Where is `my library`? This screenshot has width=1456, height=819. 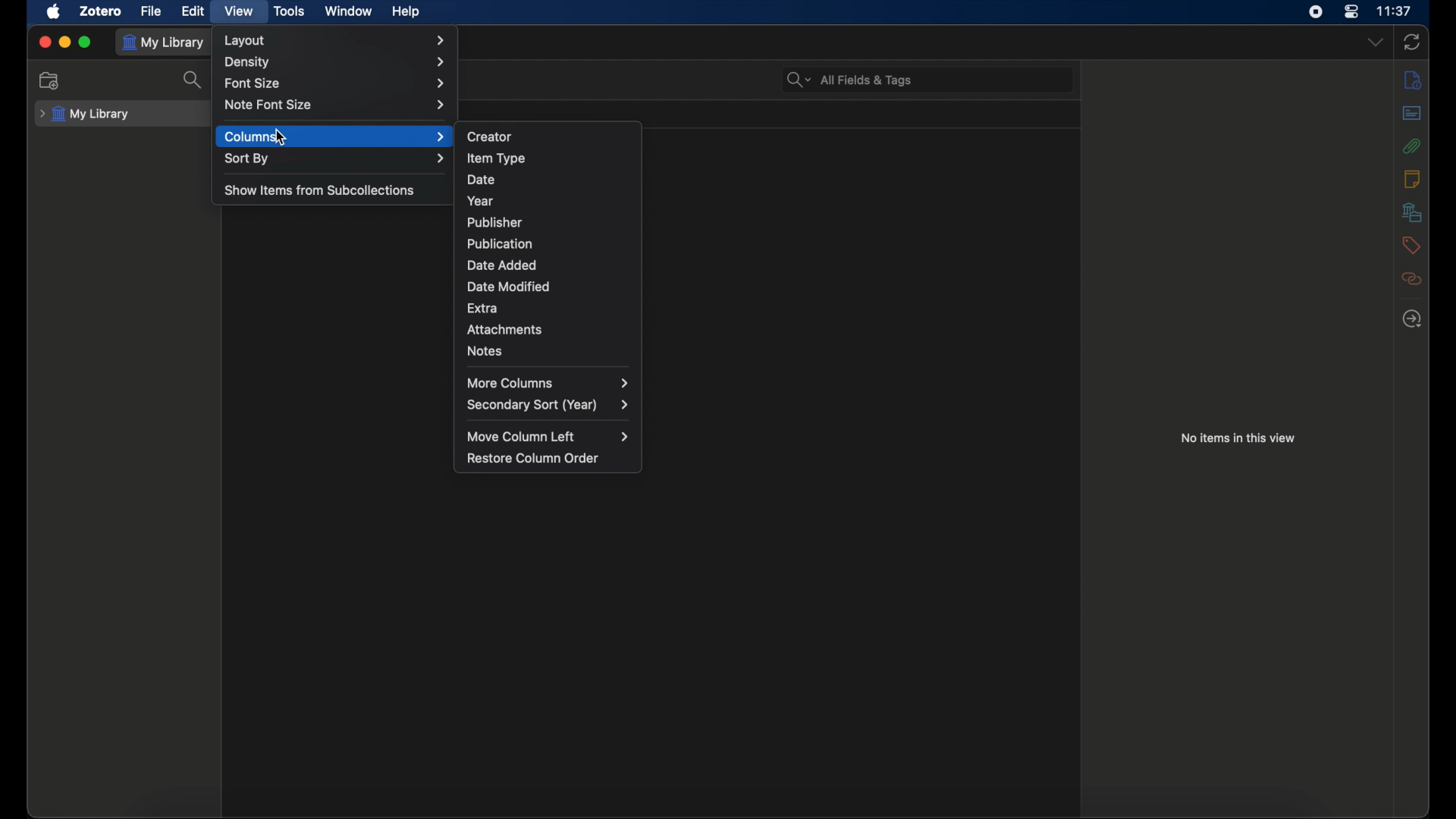
my library is located at coordinates (85, 114).